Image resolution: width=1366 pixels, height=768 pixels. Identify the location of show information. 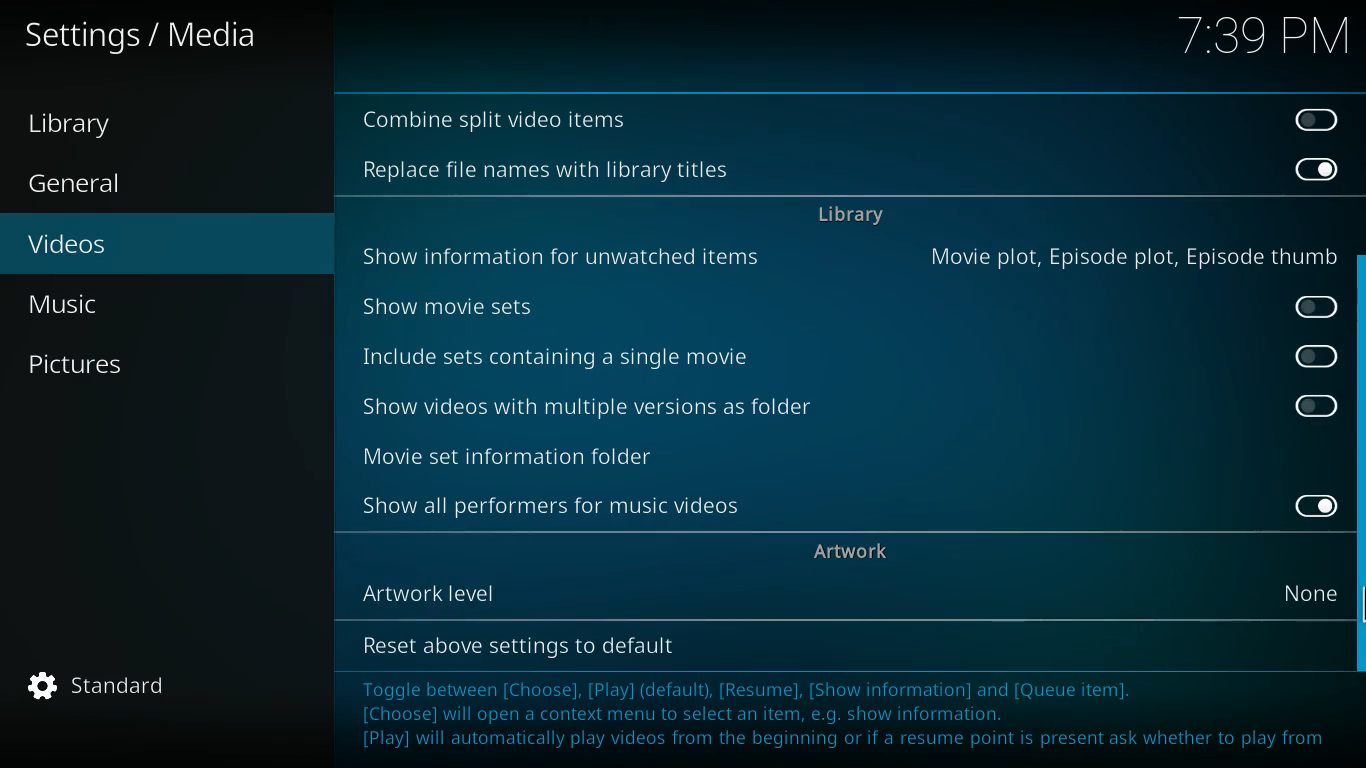
(569, 253).